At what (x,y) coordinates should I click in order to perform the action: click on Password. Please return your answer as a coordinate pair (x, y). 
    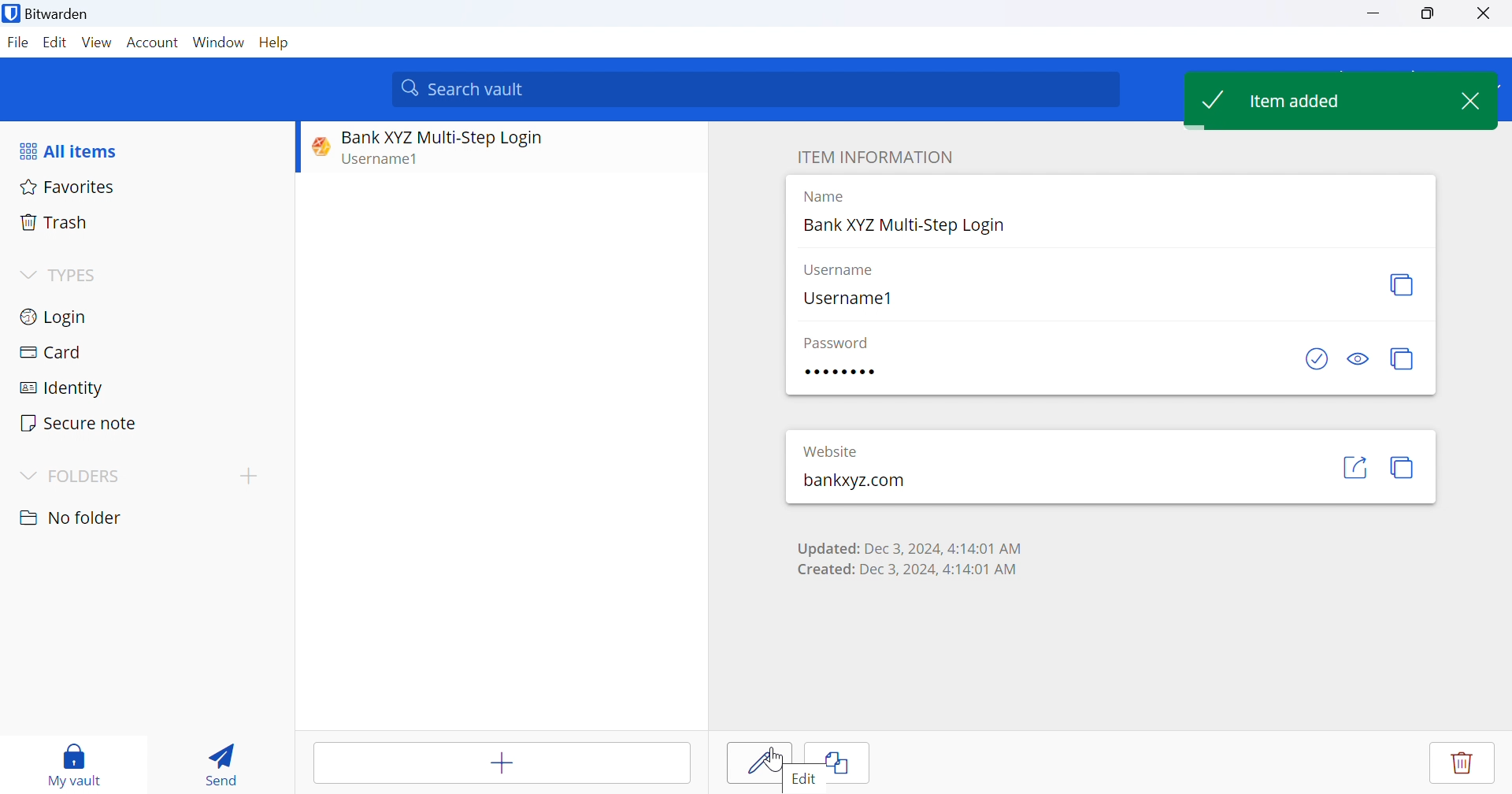
    Looking at the image, I should click on (837, 340).